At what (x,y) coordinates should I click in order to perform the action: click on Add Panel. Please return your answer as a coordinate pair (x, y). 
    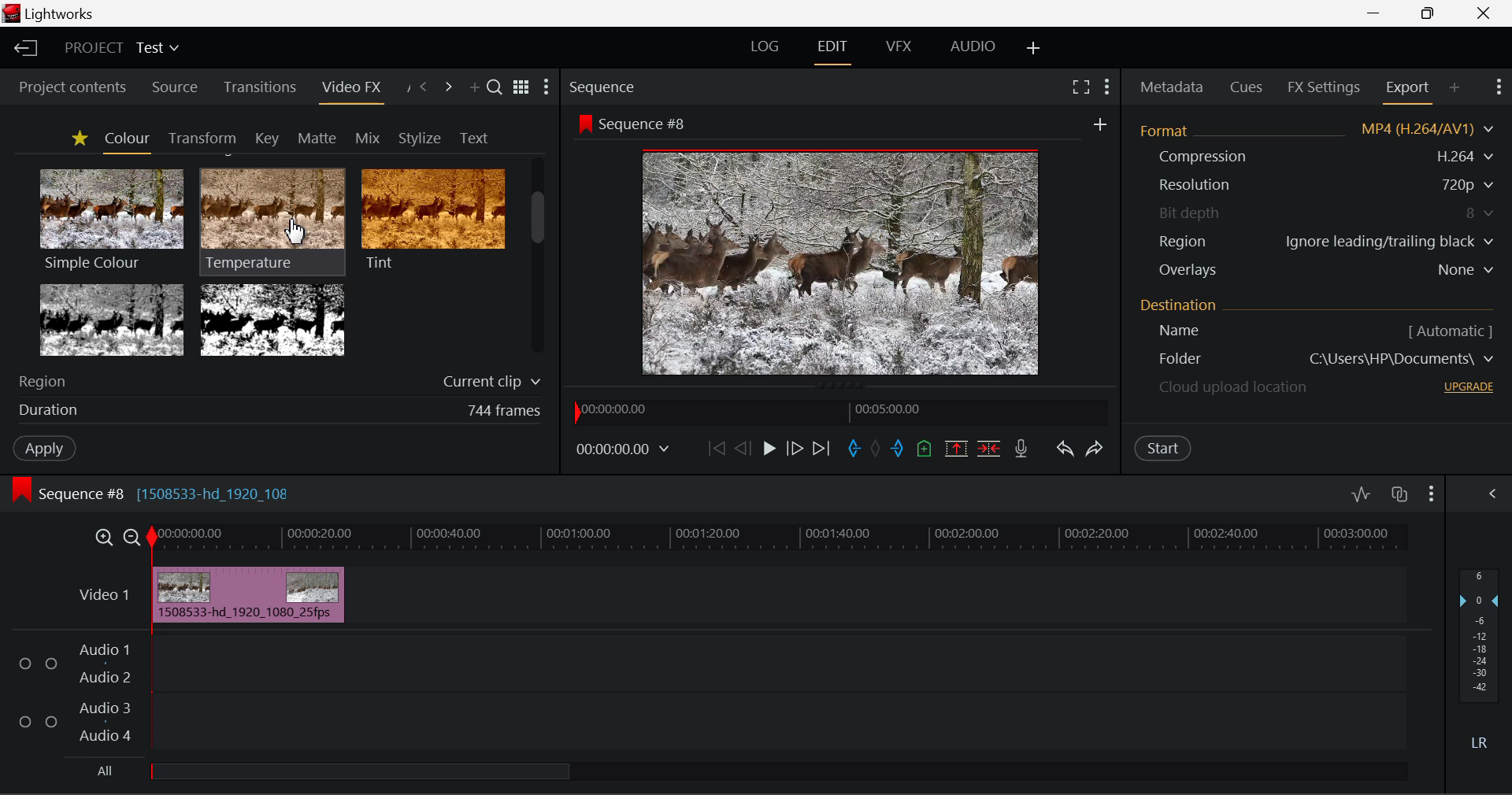
    Looking at the image, I should click on (1454, 92).